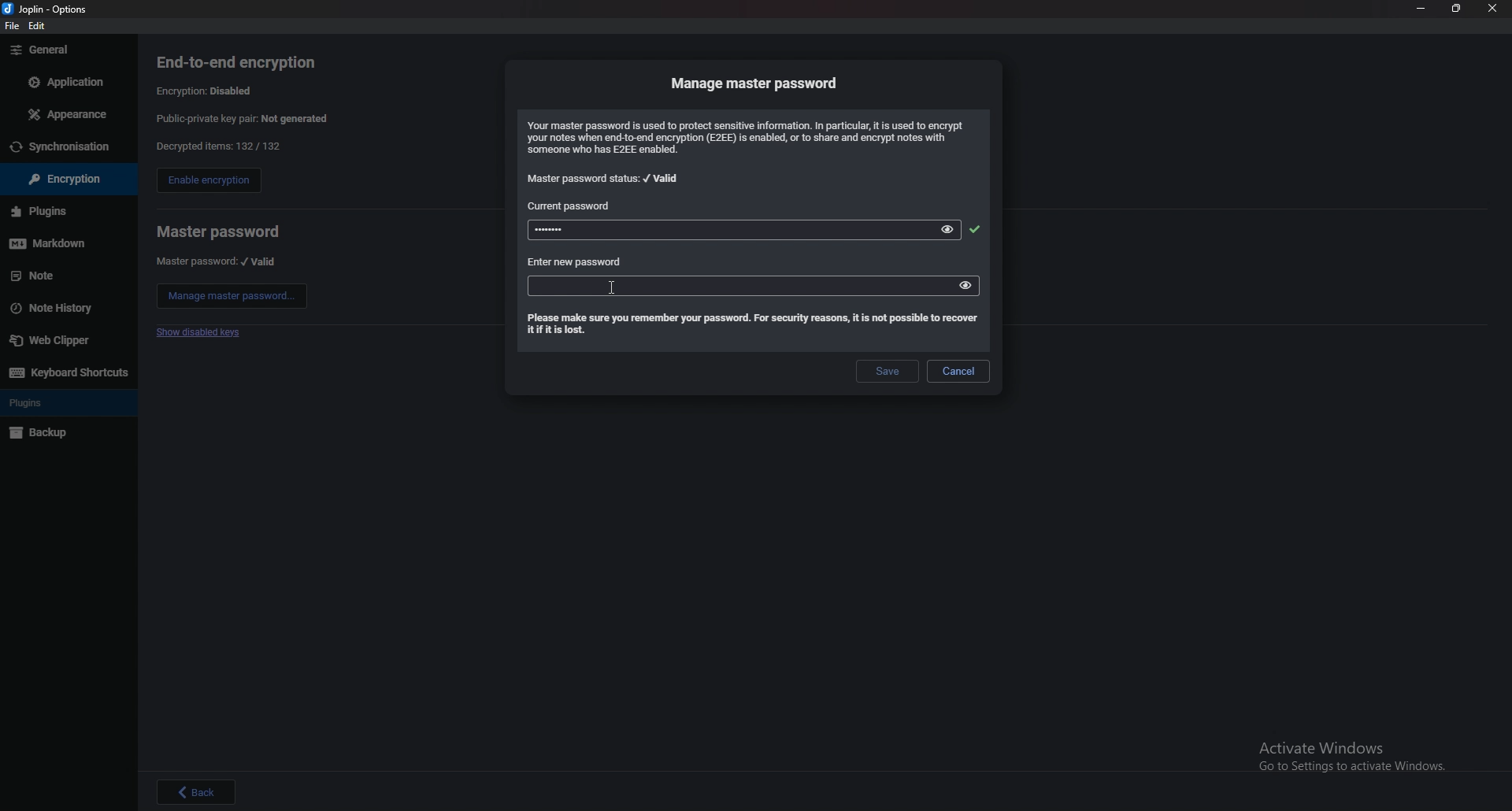  Describe the element at coordinates (615, 290) in the screenshot. I see `cursor` at that location.